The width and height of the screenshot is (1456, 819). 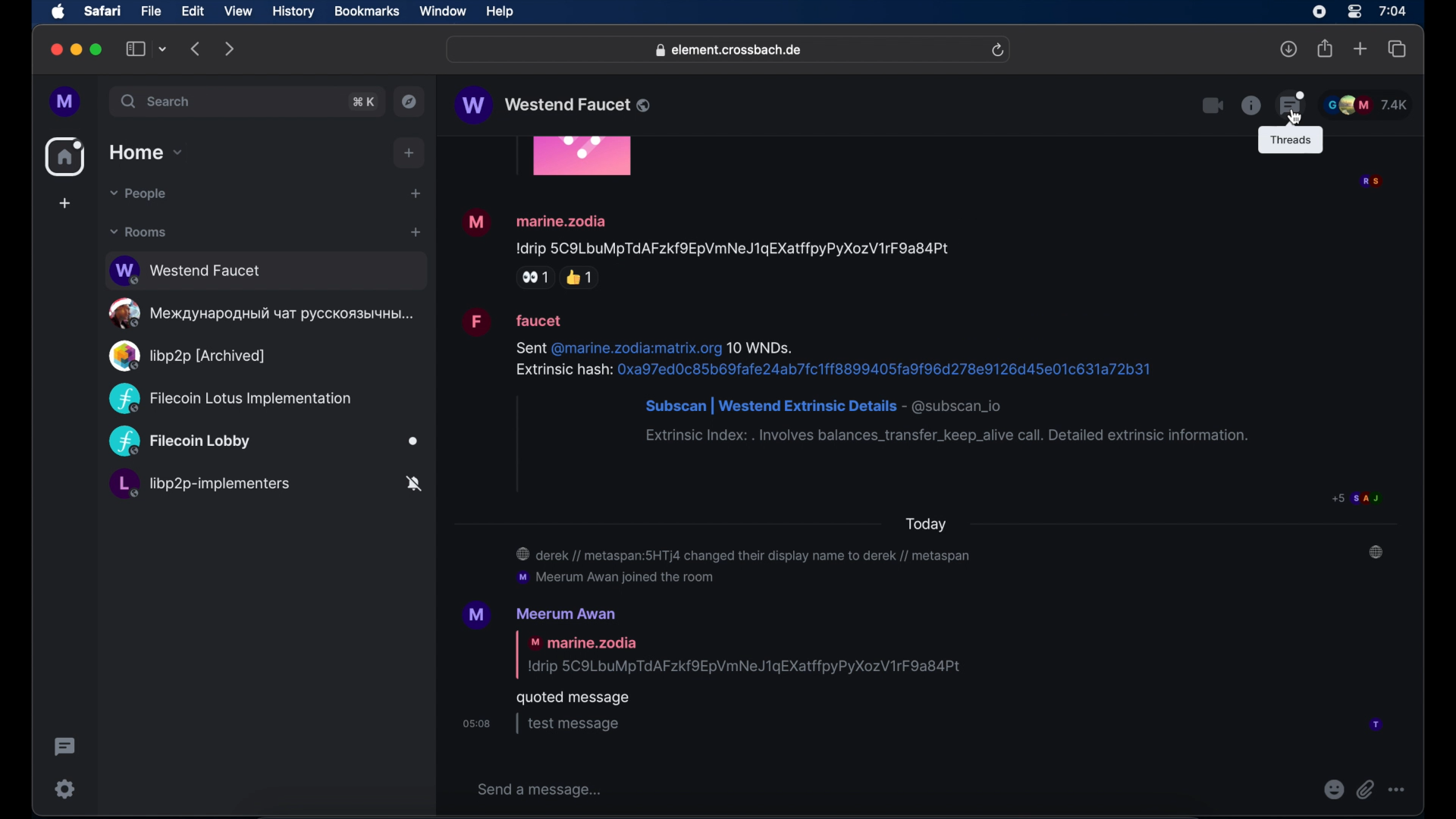 I want to click on cursor, so click(x=1293, y=118).